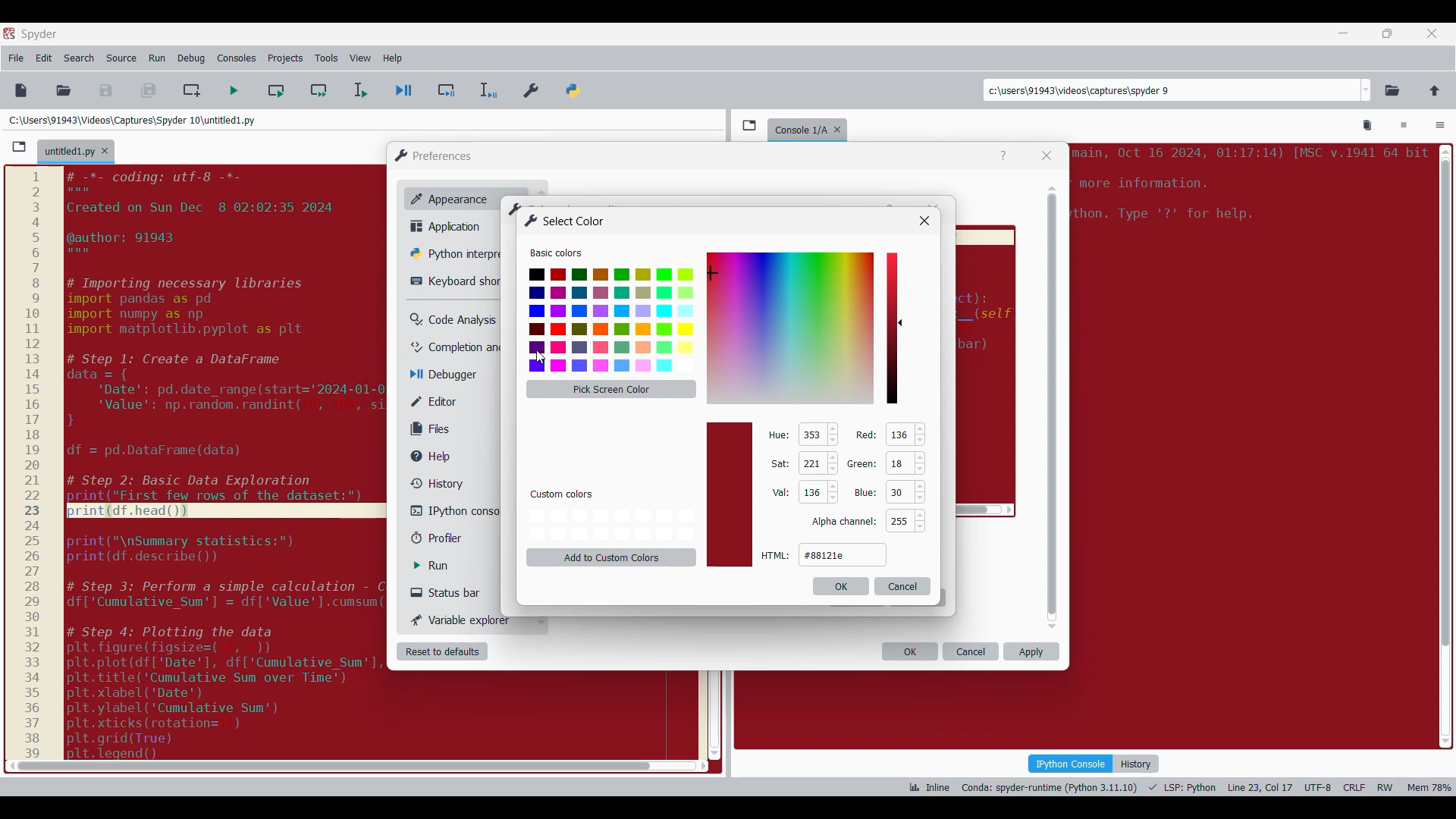 This screenshot has height=819, width=1456. I want to click on Browse tabs, so click(749, 125).